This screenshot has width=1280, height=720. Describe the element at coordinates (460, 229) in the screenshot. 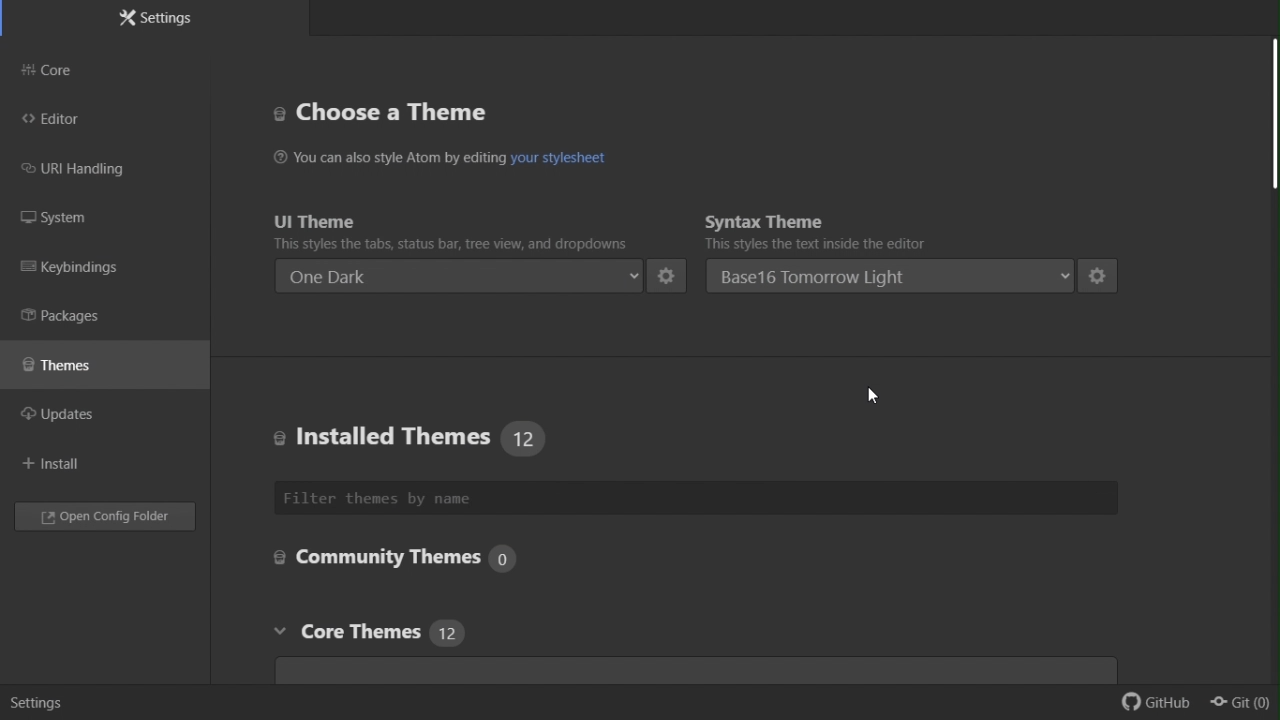

I see `UI theme` at that location.